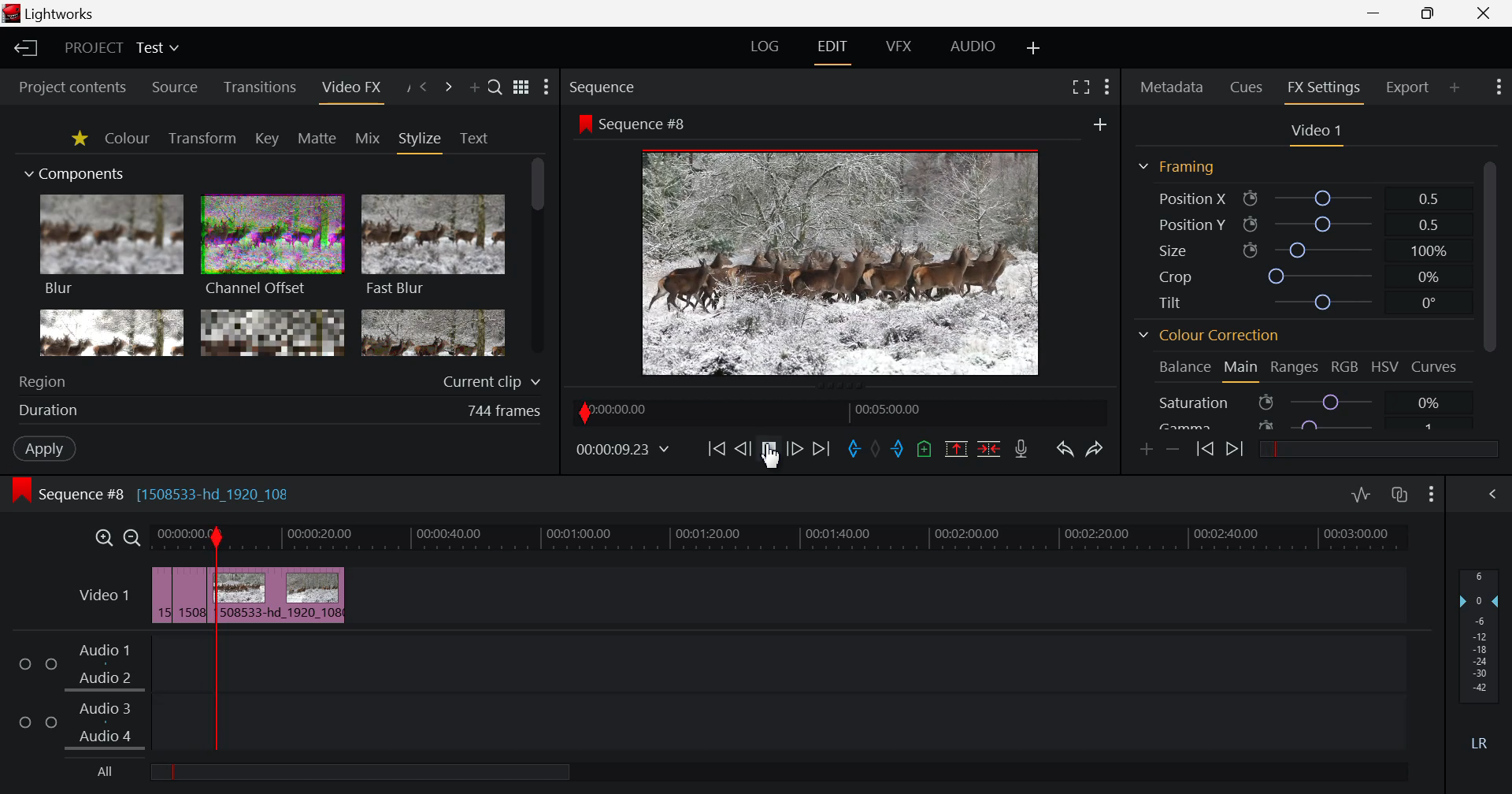  What do you see at coordinates (1494, 495) in the screenshot?
I see `Show Audio Mix` at bounding box center [1494, 495].